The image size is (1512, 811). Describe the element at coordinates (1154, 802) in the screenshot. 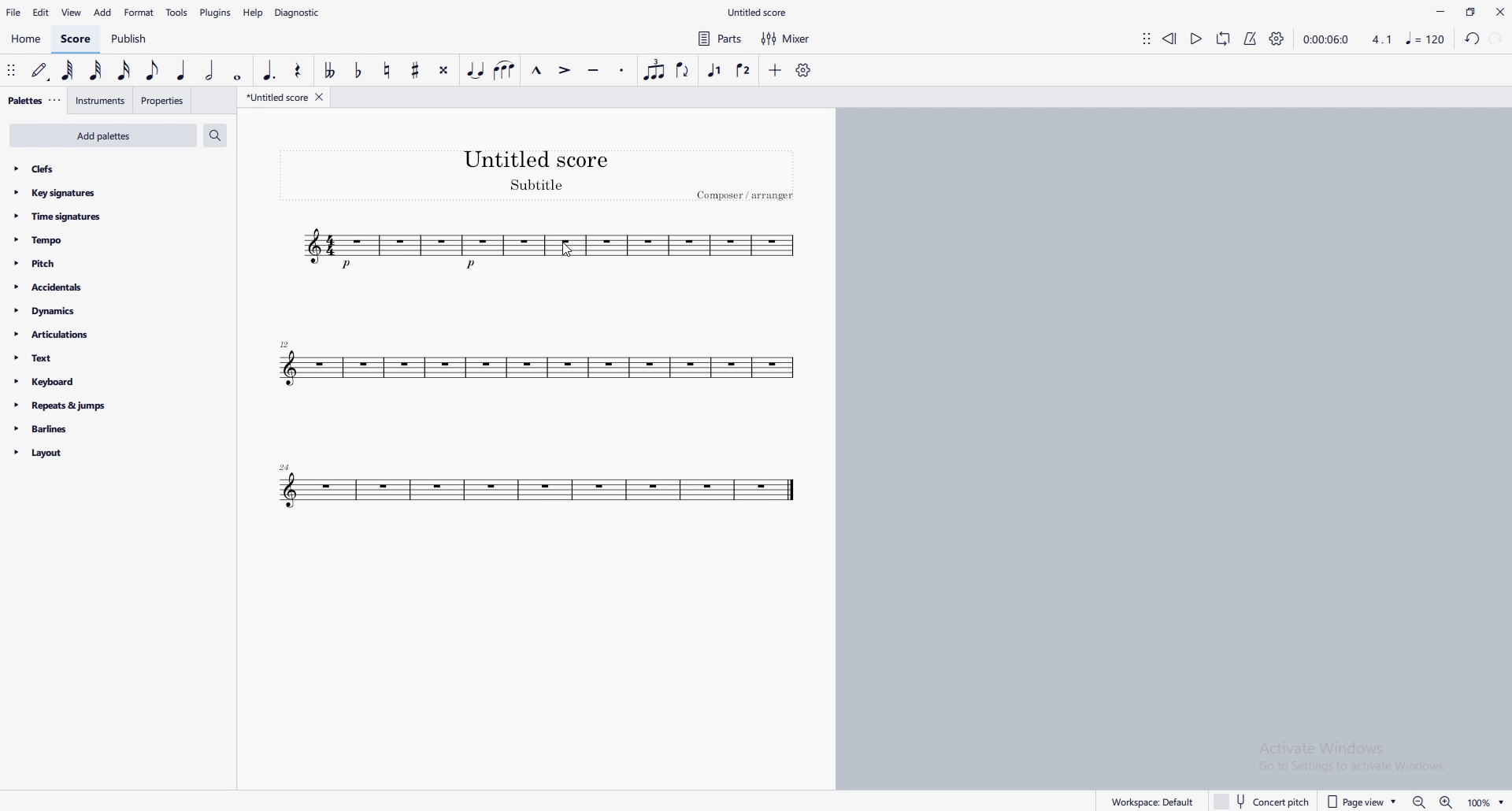

I see `workspace default` at that location.